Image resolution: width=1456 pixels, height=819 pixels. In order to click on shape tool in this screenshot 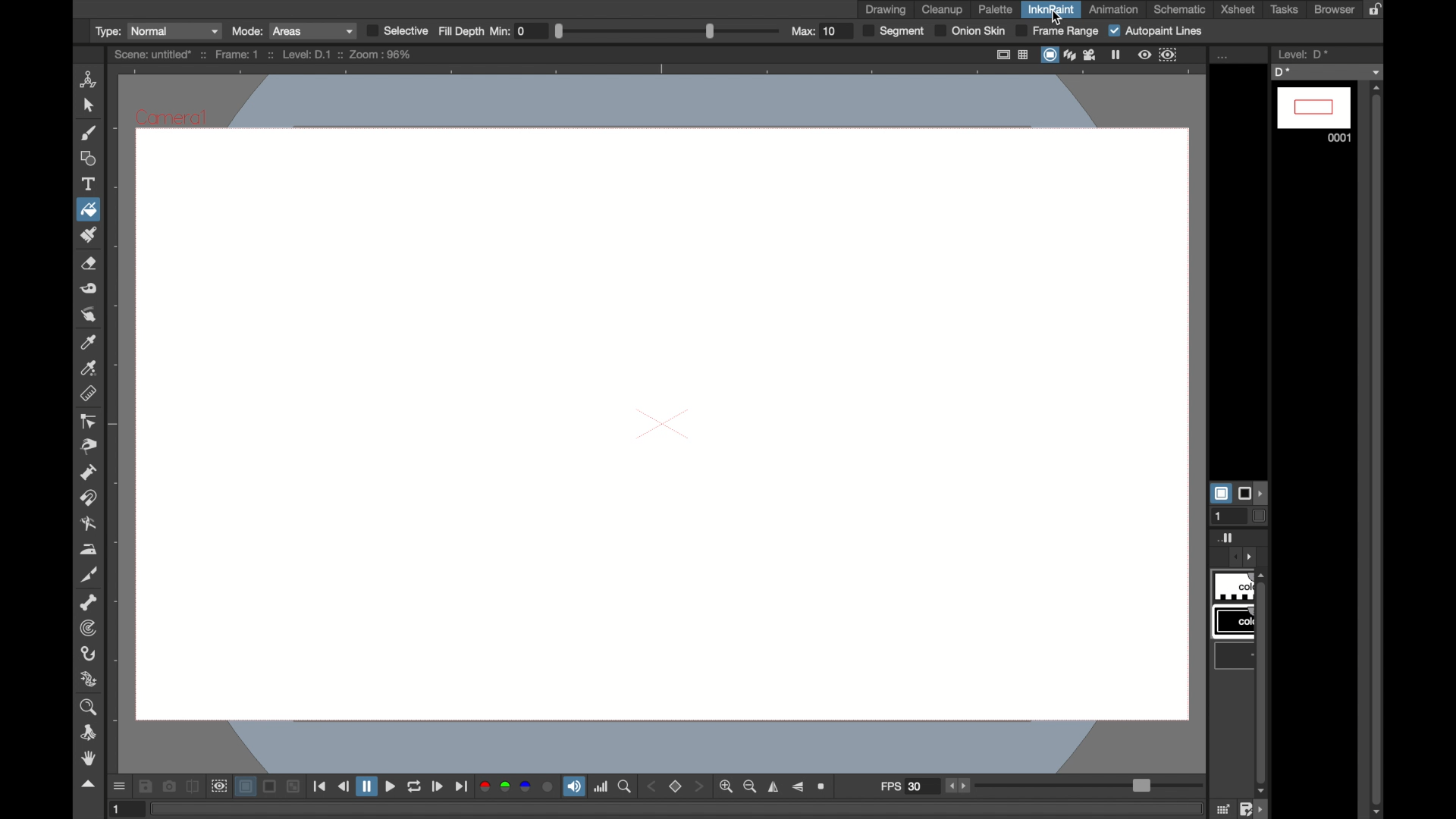, I will do `click(87, 158)`.